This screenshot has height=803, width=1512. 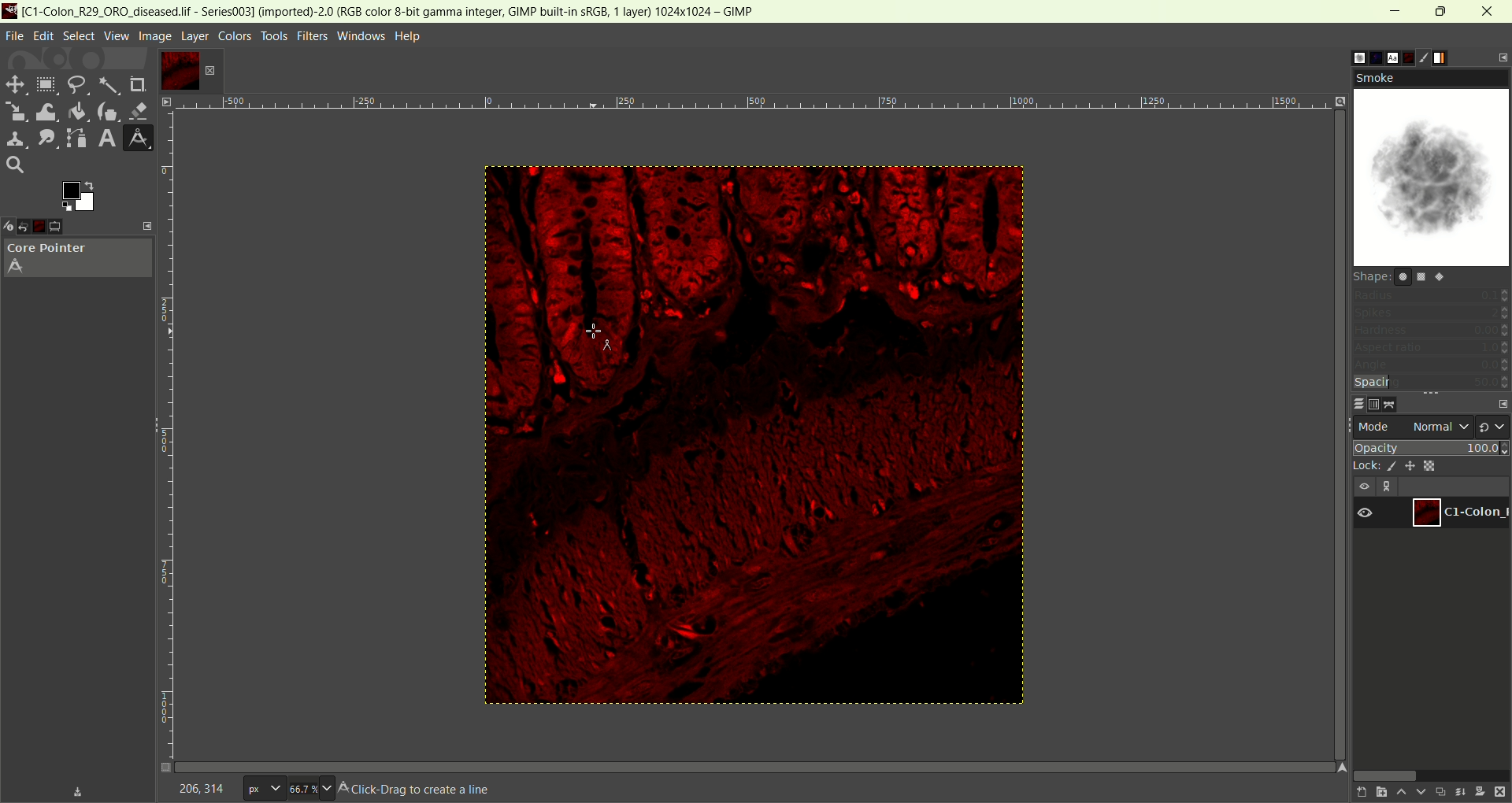 What do you see at coordinates (1430, 56) in the screenshot?
I see `brush` at bounding box center [1430, 56].